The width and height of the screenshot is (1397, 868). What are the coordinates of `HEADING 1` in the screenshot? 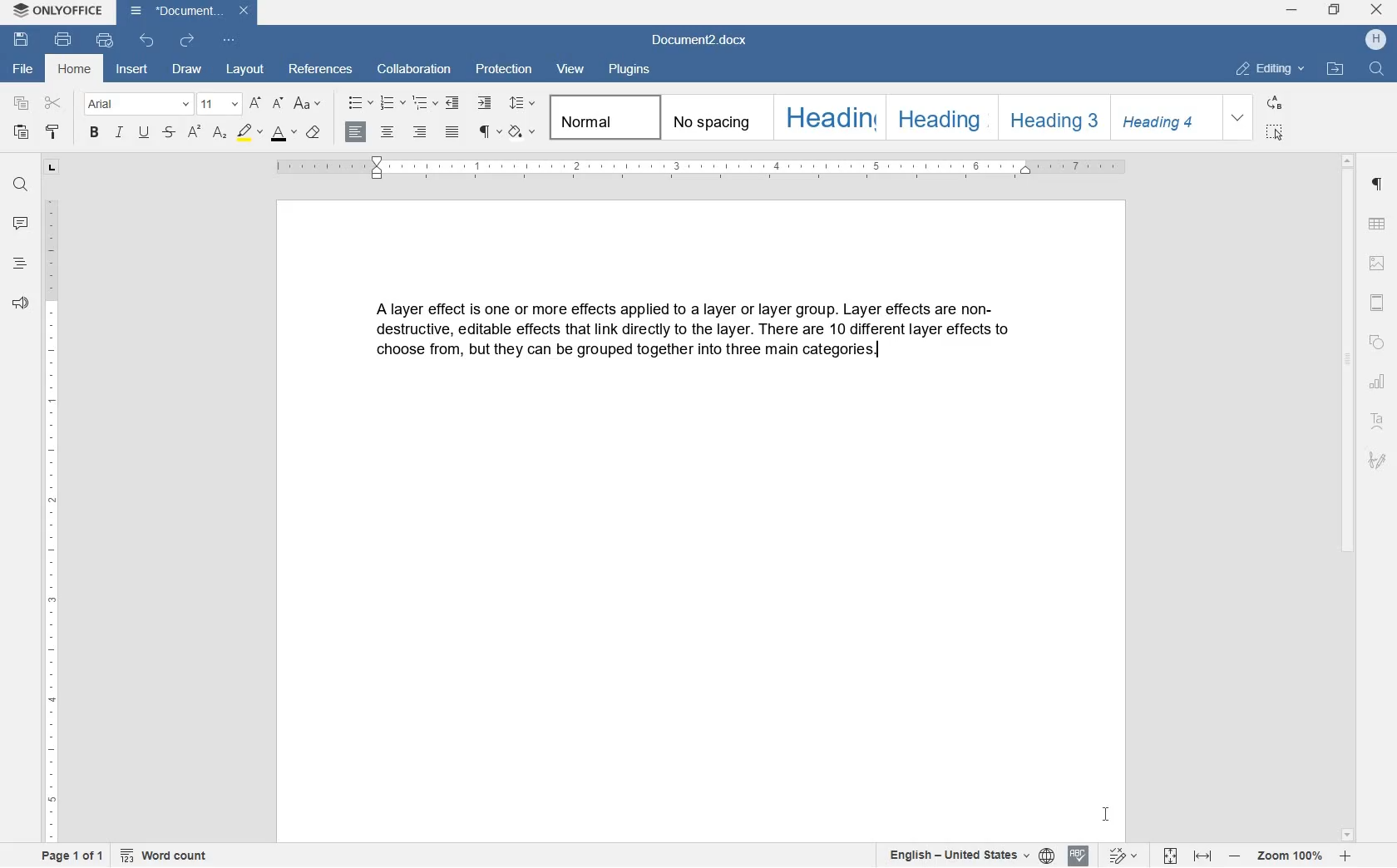 It's located at (827, 117).